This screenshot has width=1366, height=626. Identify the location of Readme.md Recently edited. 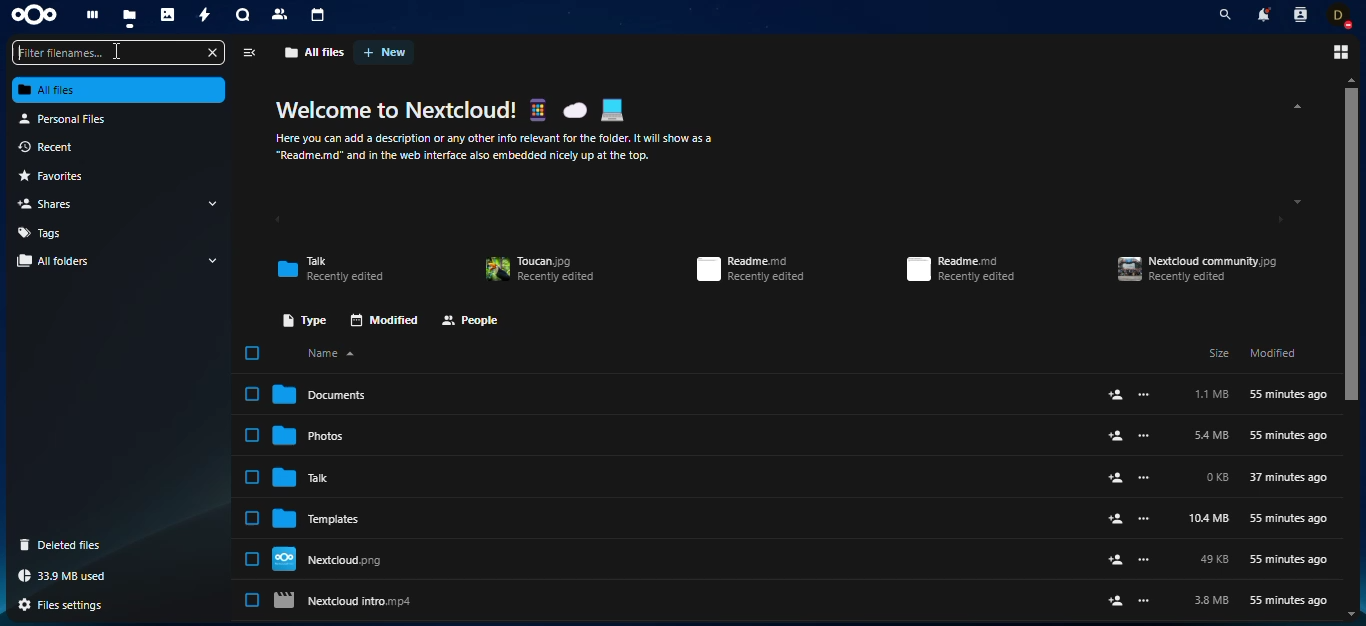
(961, 269).